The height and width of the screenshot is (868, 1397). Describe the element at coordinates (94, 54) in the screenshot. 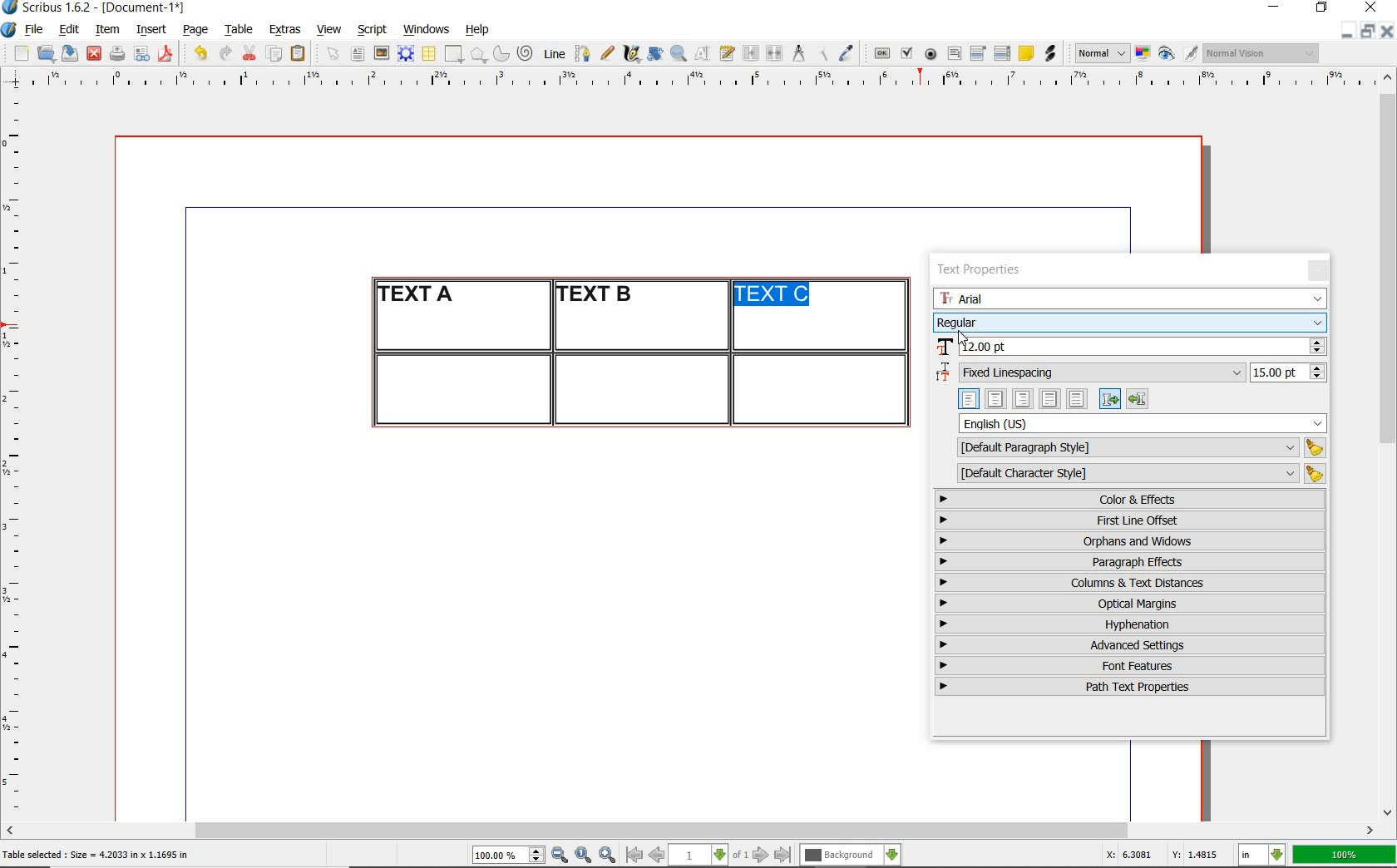

I see `close` at that location.